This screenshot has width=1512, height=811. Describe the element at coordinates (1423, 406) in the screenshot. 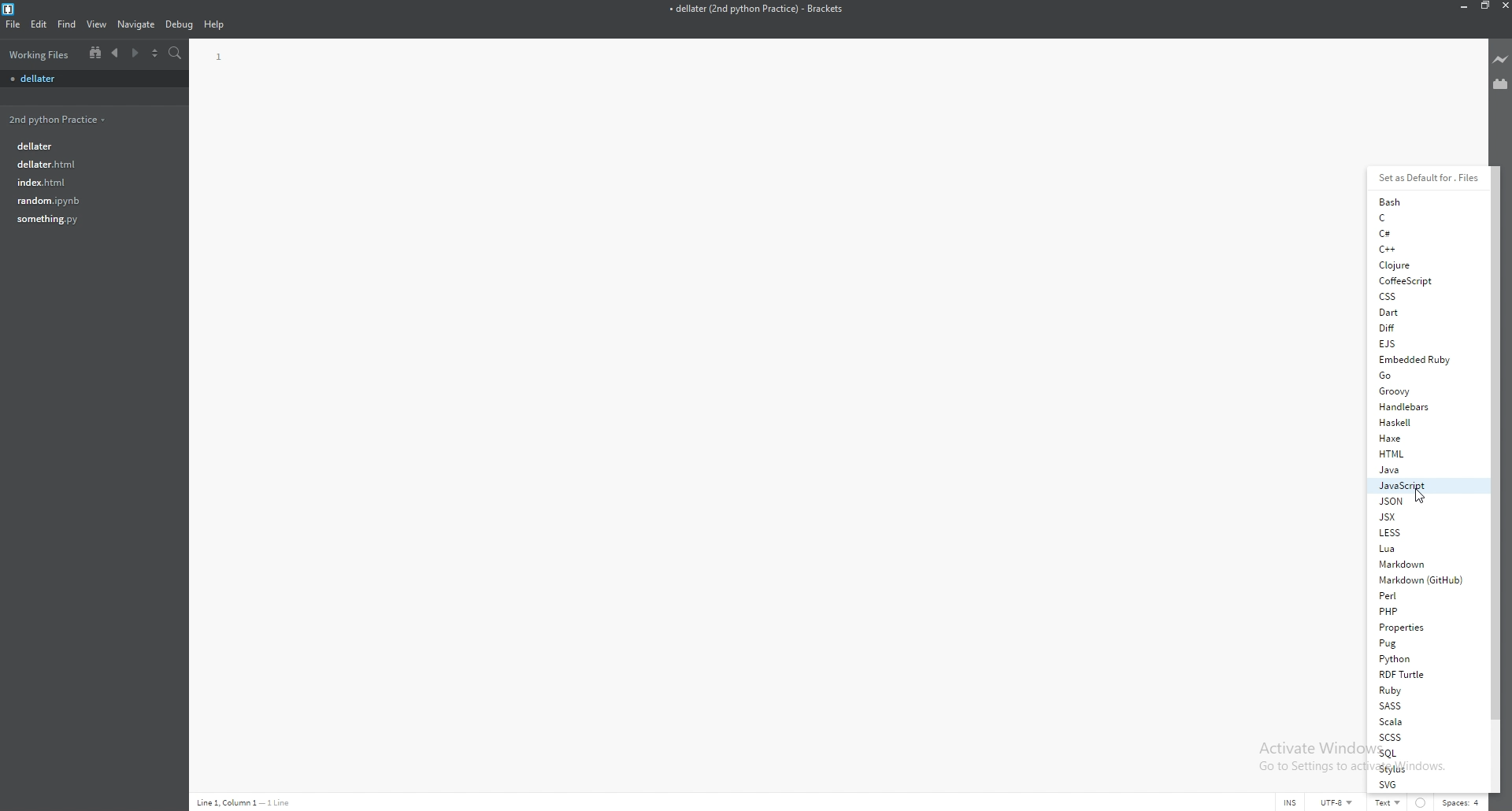

I see `handlebars` at that location.